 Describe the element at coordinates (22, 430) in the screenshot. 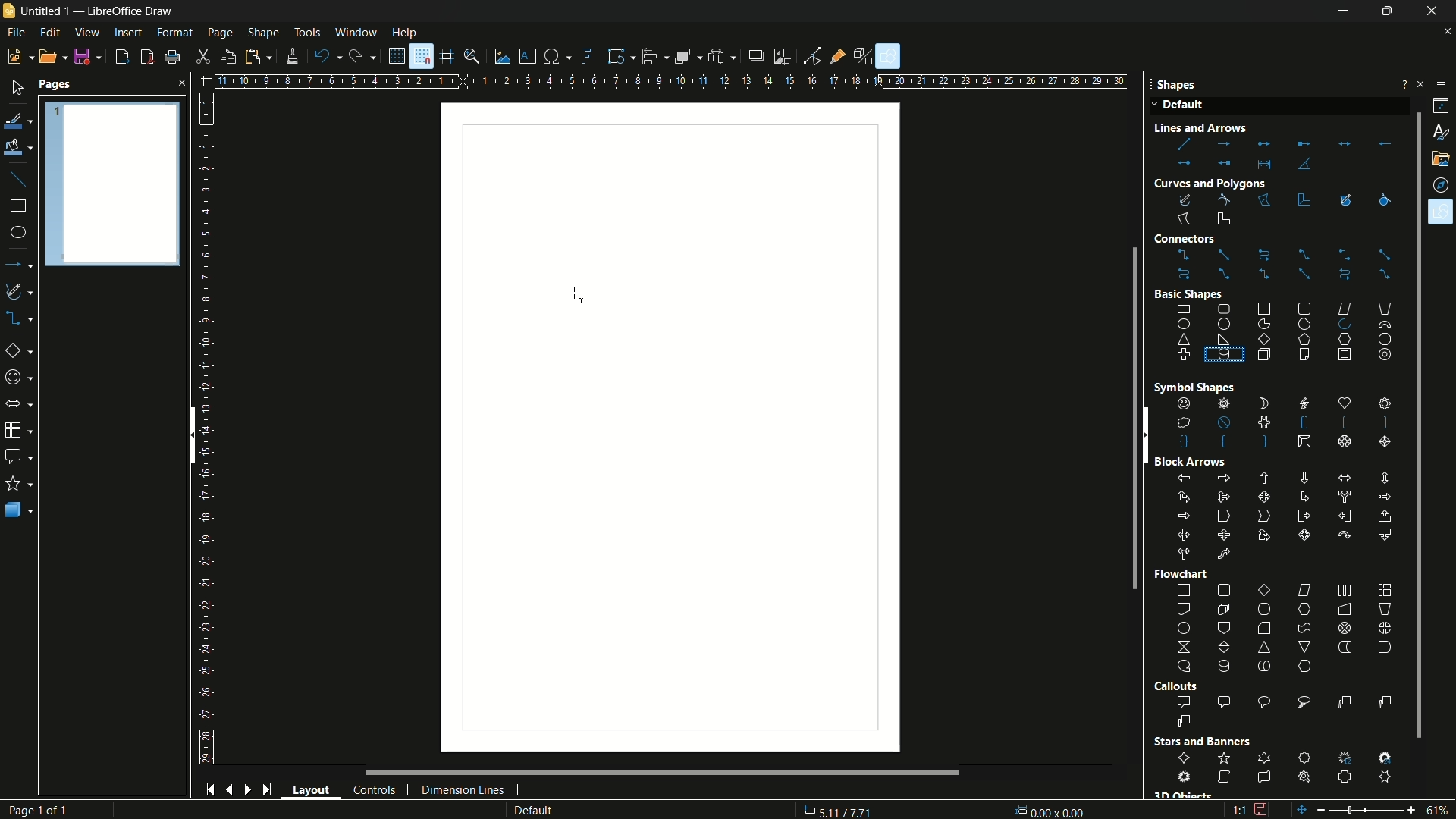

I see `flow chart` at that location.